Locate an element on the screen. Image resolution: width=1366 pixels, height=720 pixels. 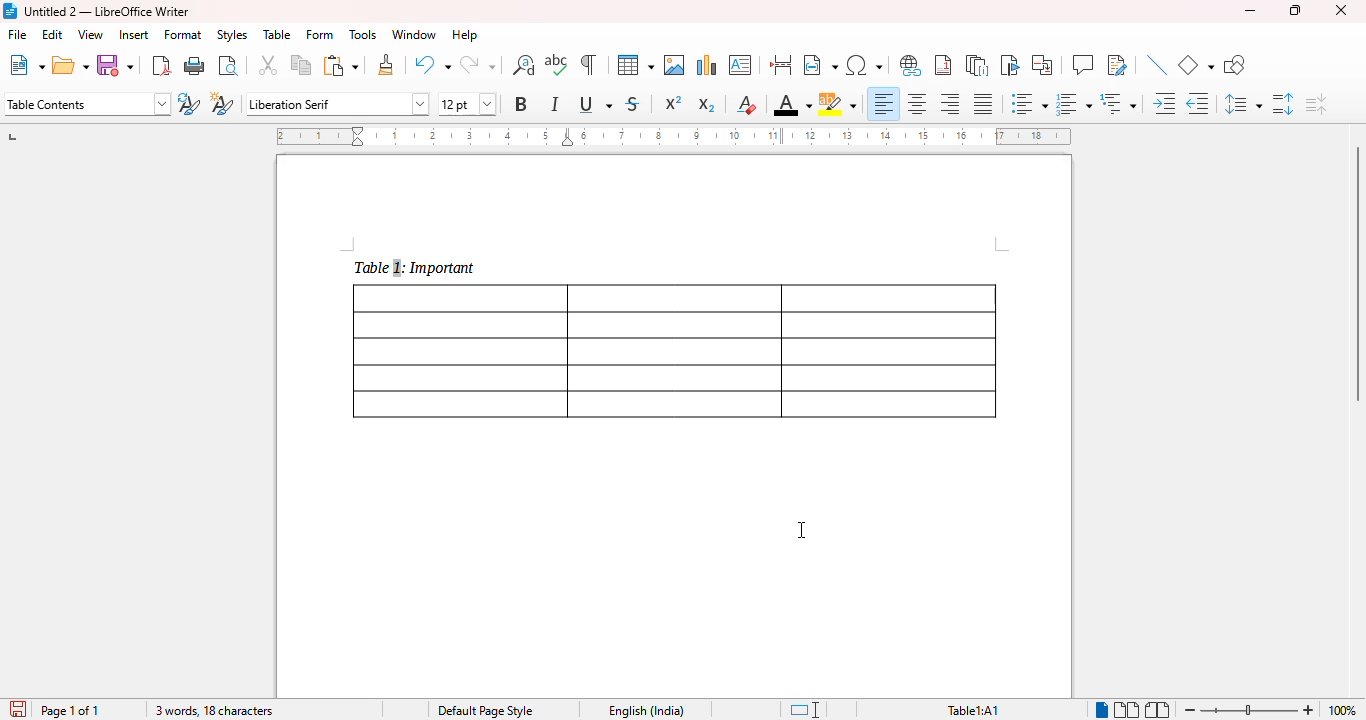
tools is located at coordinates (363, 34).